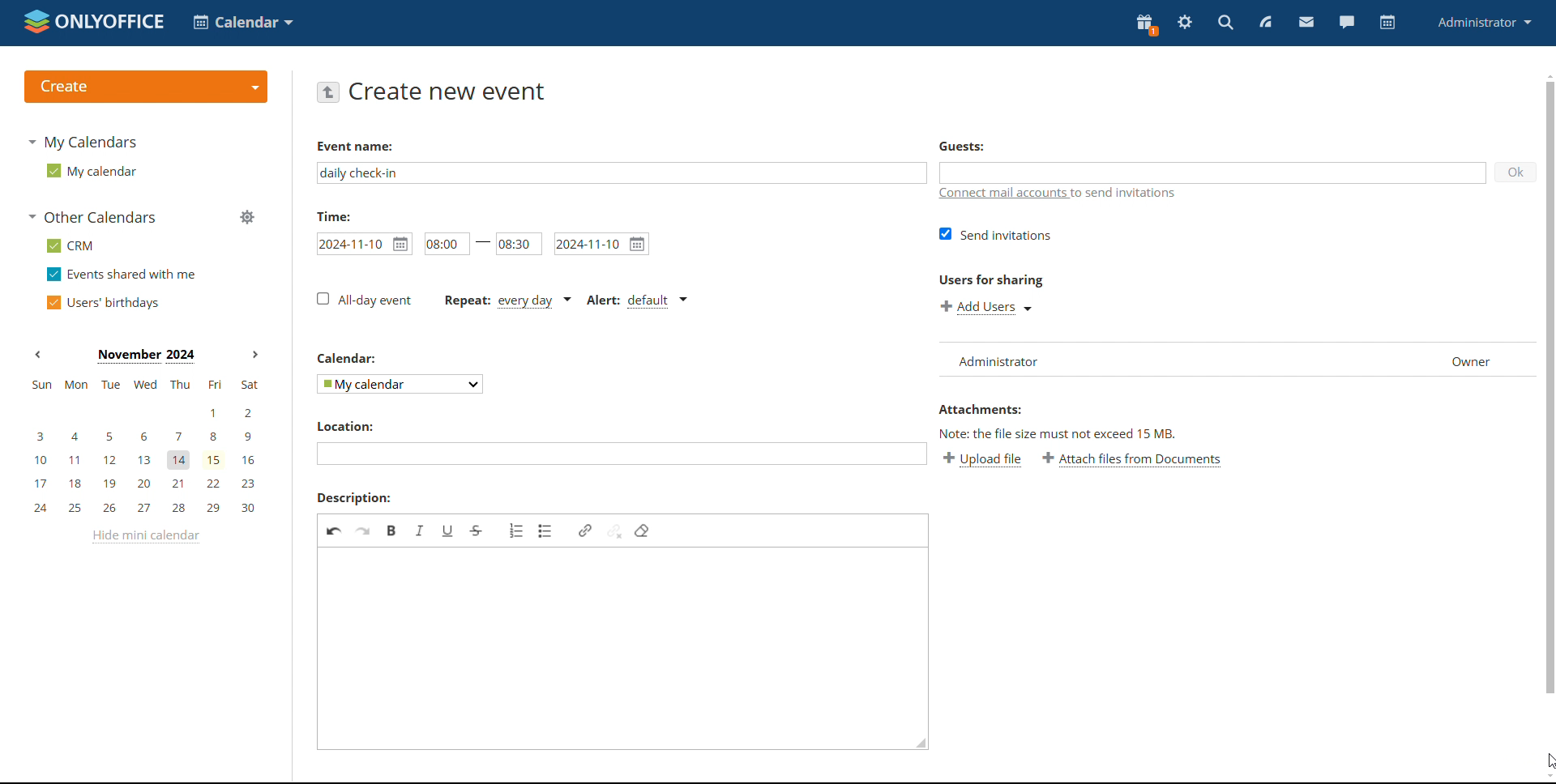 The width and height of the screenshot is (1556, 784). I want to click on alert type, so click(634, 300).